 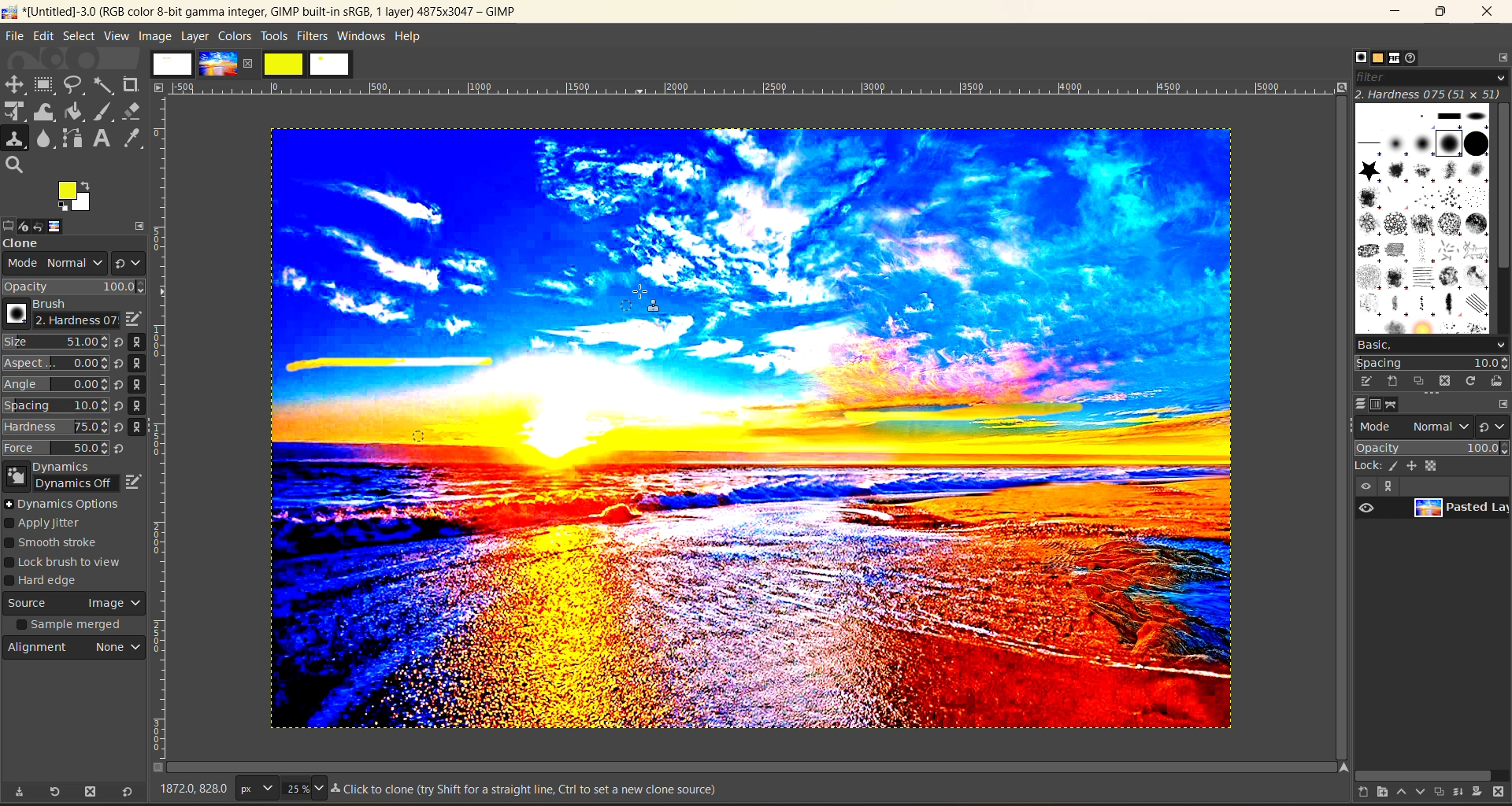 I want to click on refresh brushes, so click(x=1470, y=381).